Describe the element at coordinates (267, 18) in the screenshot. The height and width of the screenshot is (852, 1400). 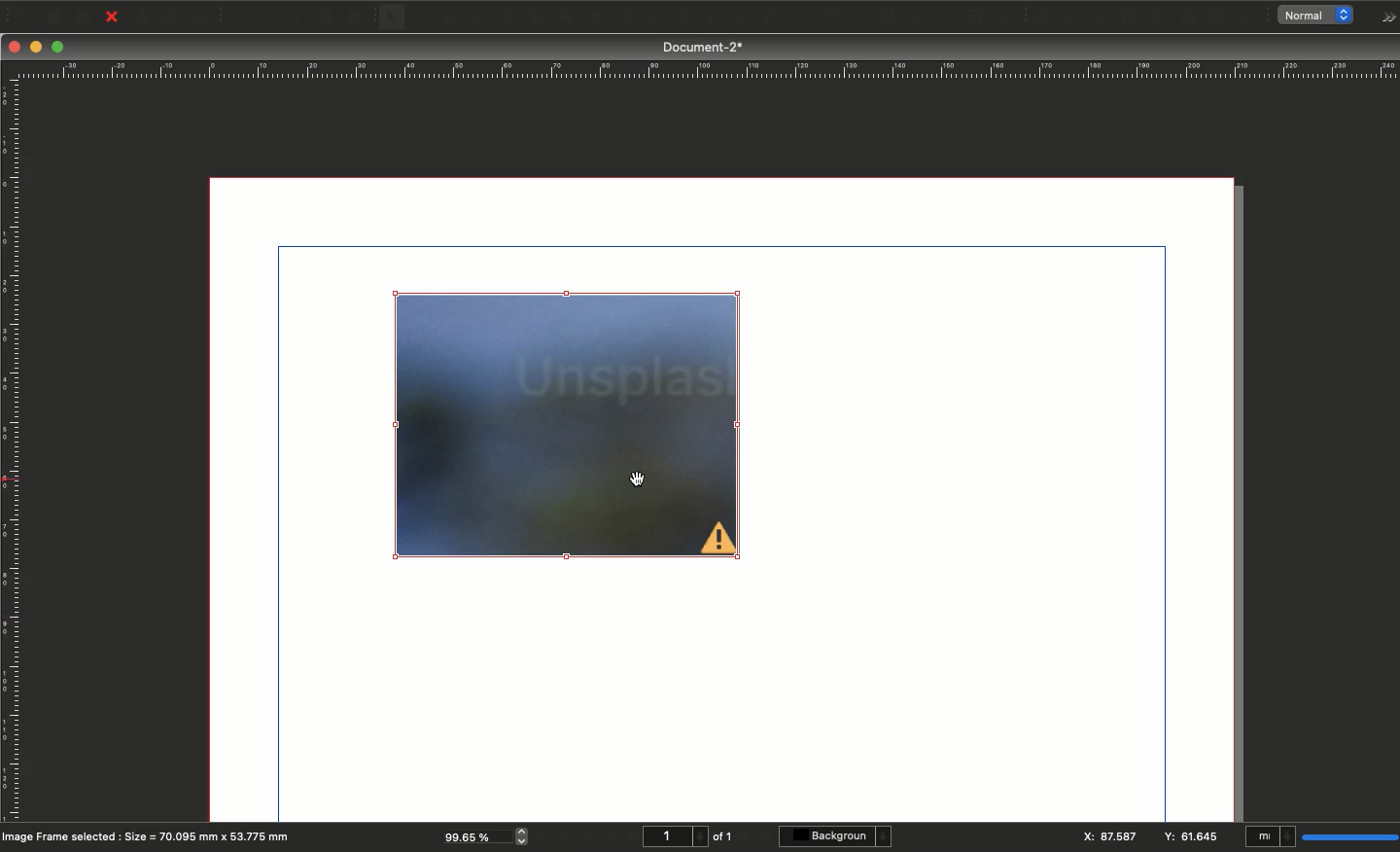
I see `Redo` at that location.